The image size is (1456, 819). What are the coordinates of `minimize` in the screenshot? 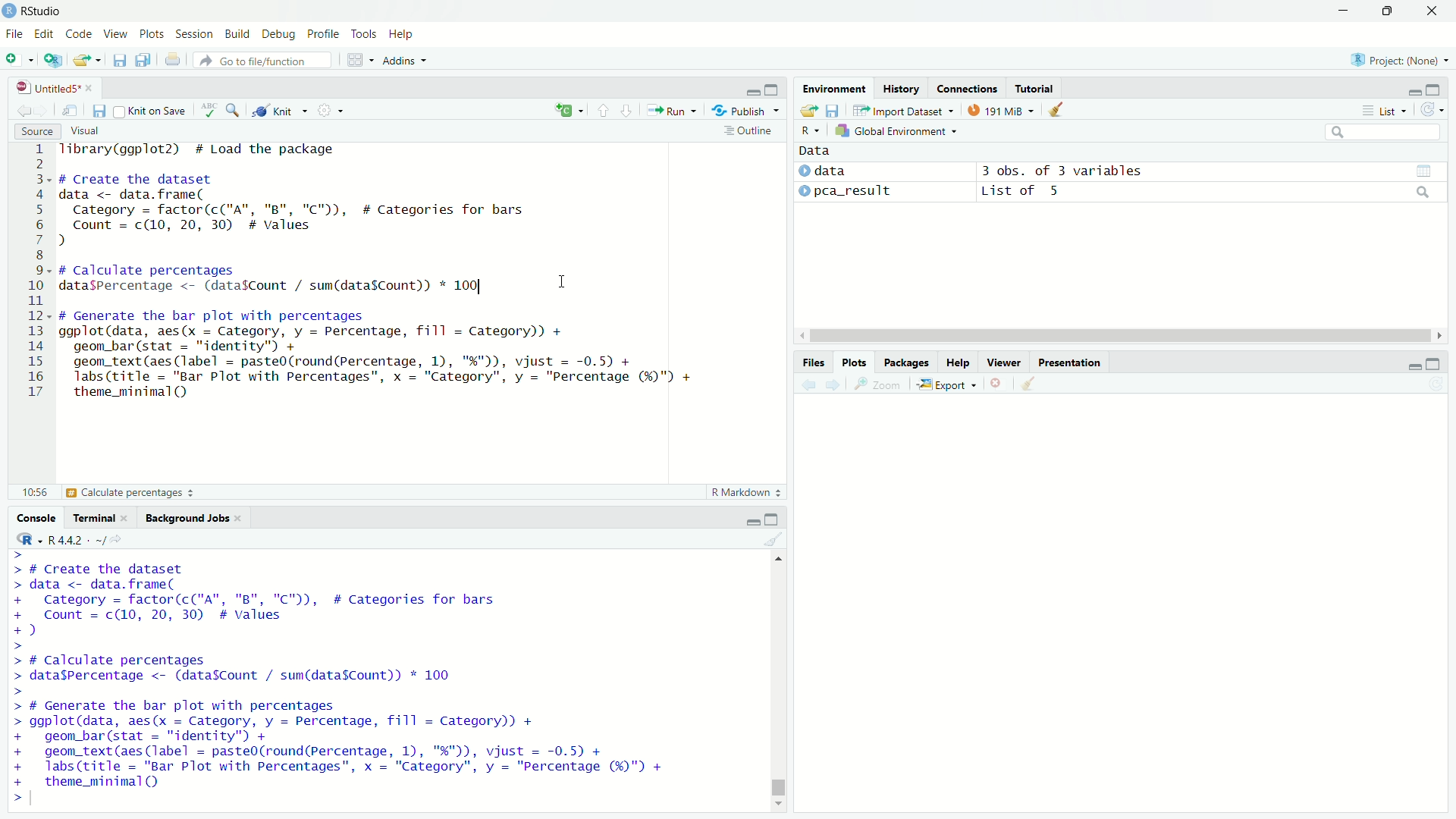 It's located at (1414, 89).